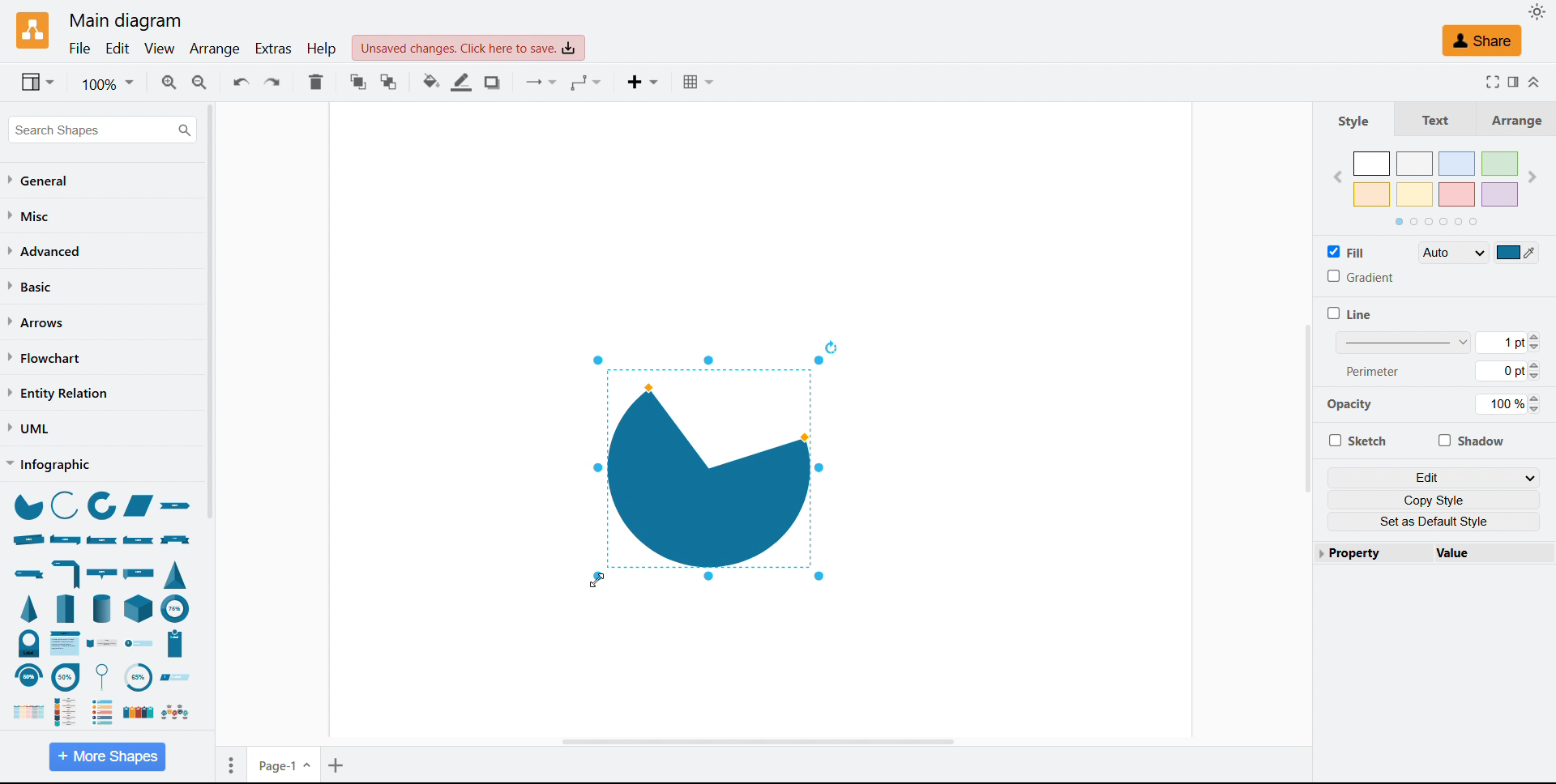  What do you see at coordinates (28, 539) in the screenshot?
I see `ribbon  rolled` at bounding box center [28, 539].